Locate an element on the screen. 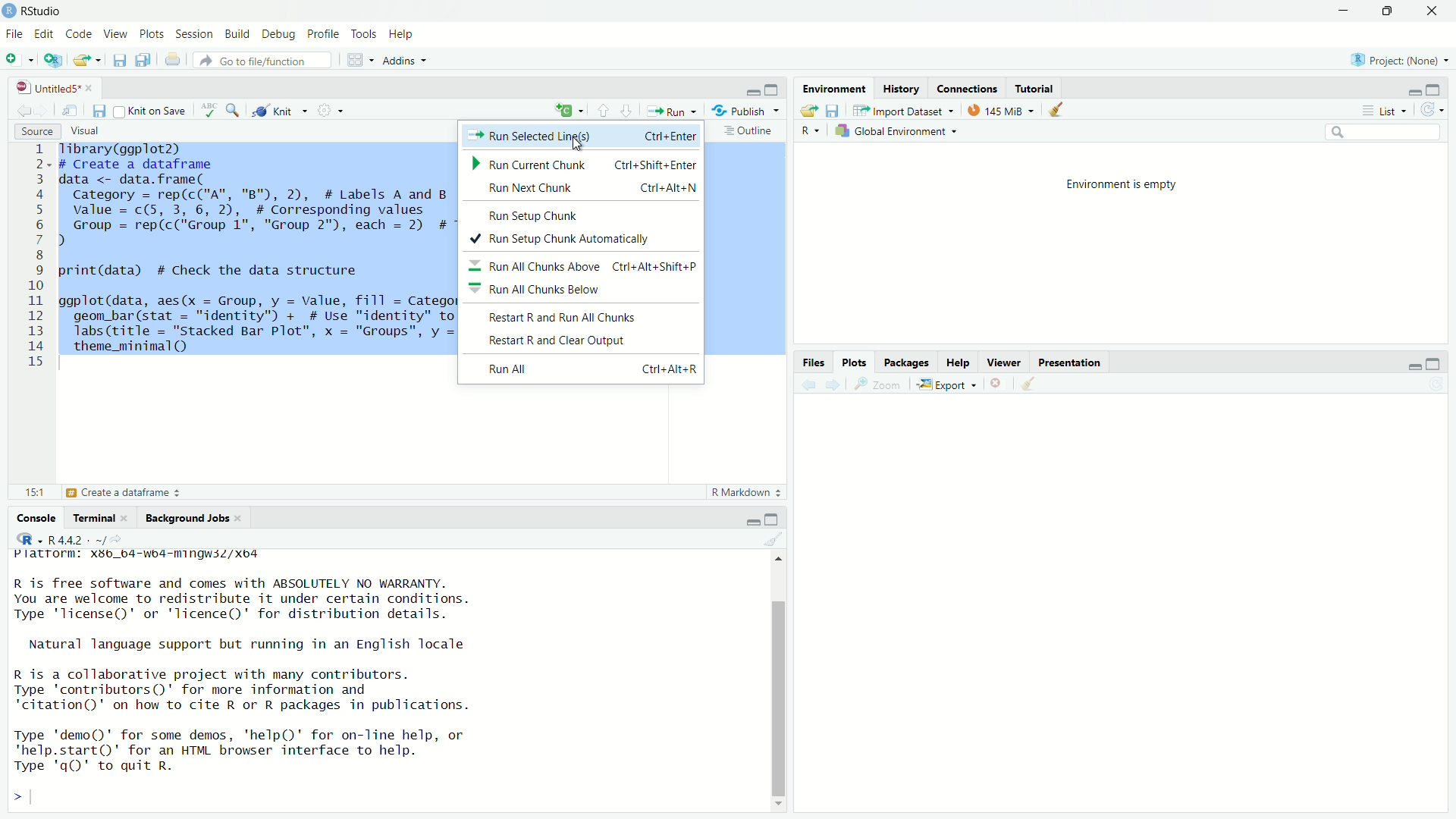 The width and height of the screenshot is (1456, 819). R is free software and comes with ABSOLUTELY NO WARRANTY.

You are welcome to redistribute it under certain conditions.

Type "license" or 'licence()' for distribution details.
Natural language support but running in an English locale

R is a collaborative project with many contributors.

Type 'contributors()' for more information and

'citation()' on how to cite R or R packages in publications.

Type 'demo()' for some demos, 'help()' for on-line help, or

*help.start()' for an HTML browser interface to help.

Type 'gQ' to quit R.

> is located at coordinates (272, 694).